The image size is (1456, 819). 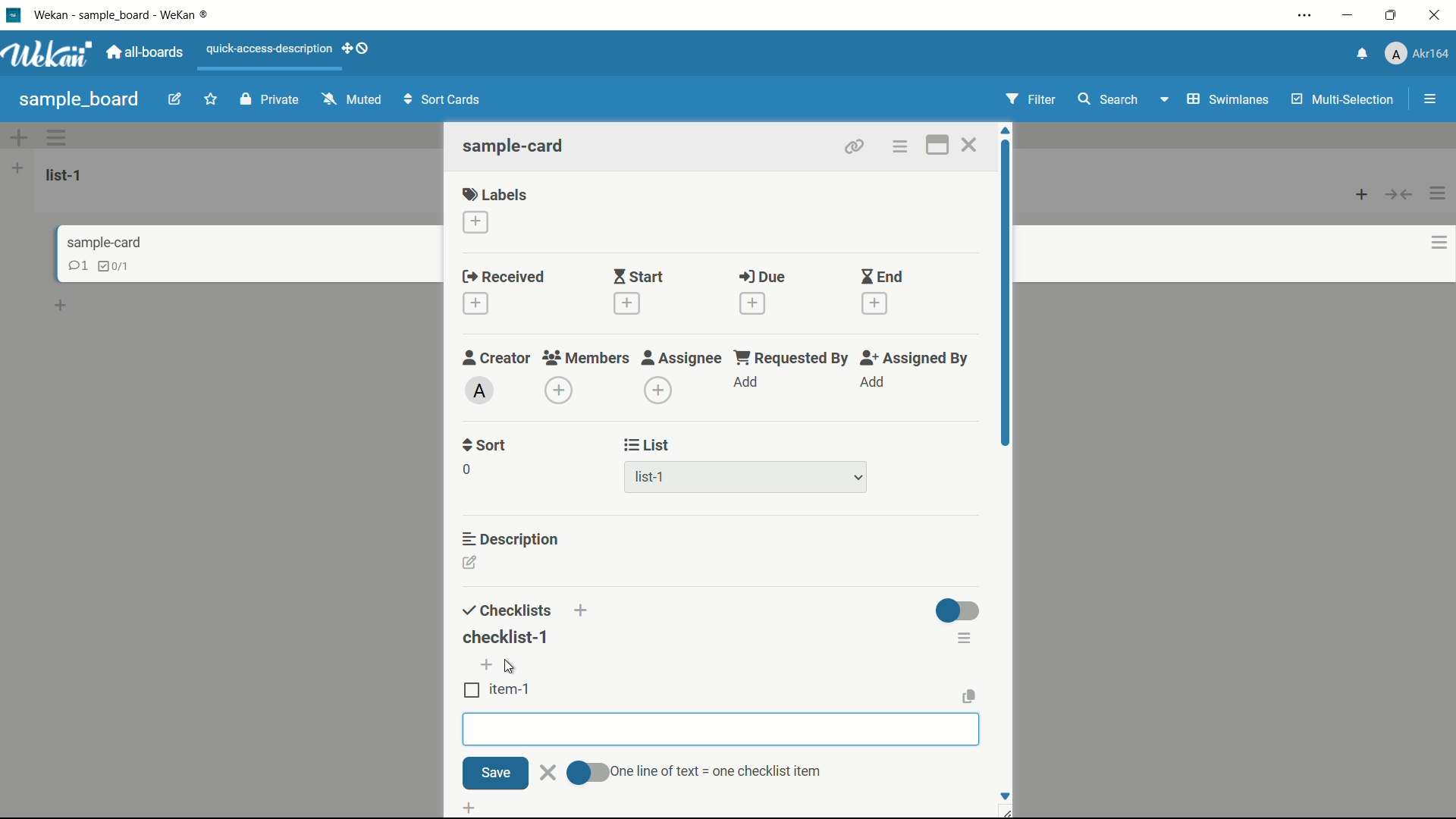 I want to click on add assignee, so click(x=659, y=391).